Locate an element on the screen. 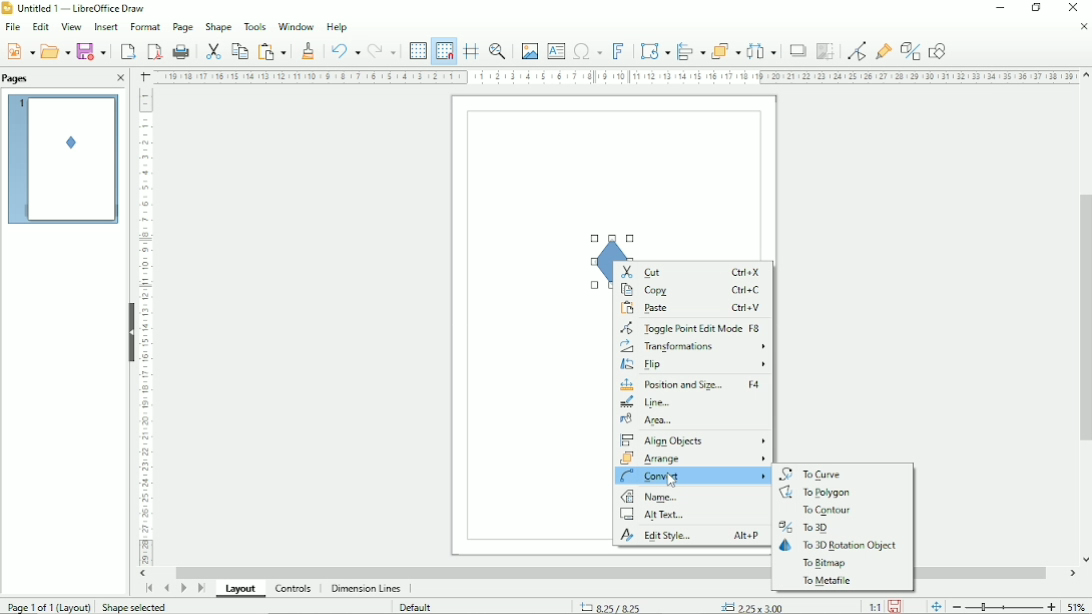  Convert is located at coordinates (691, 478).